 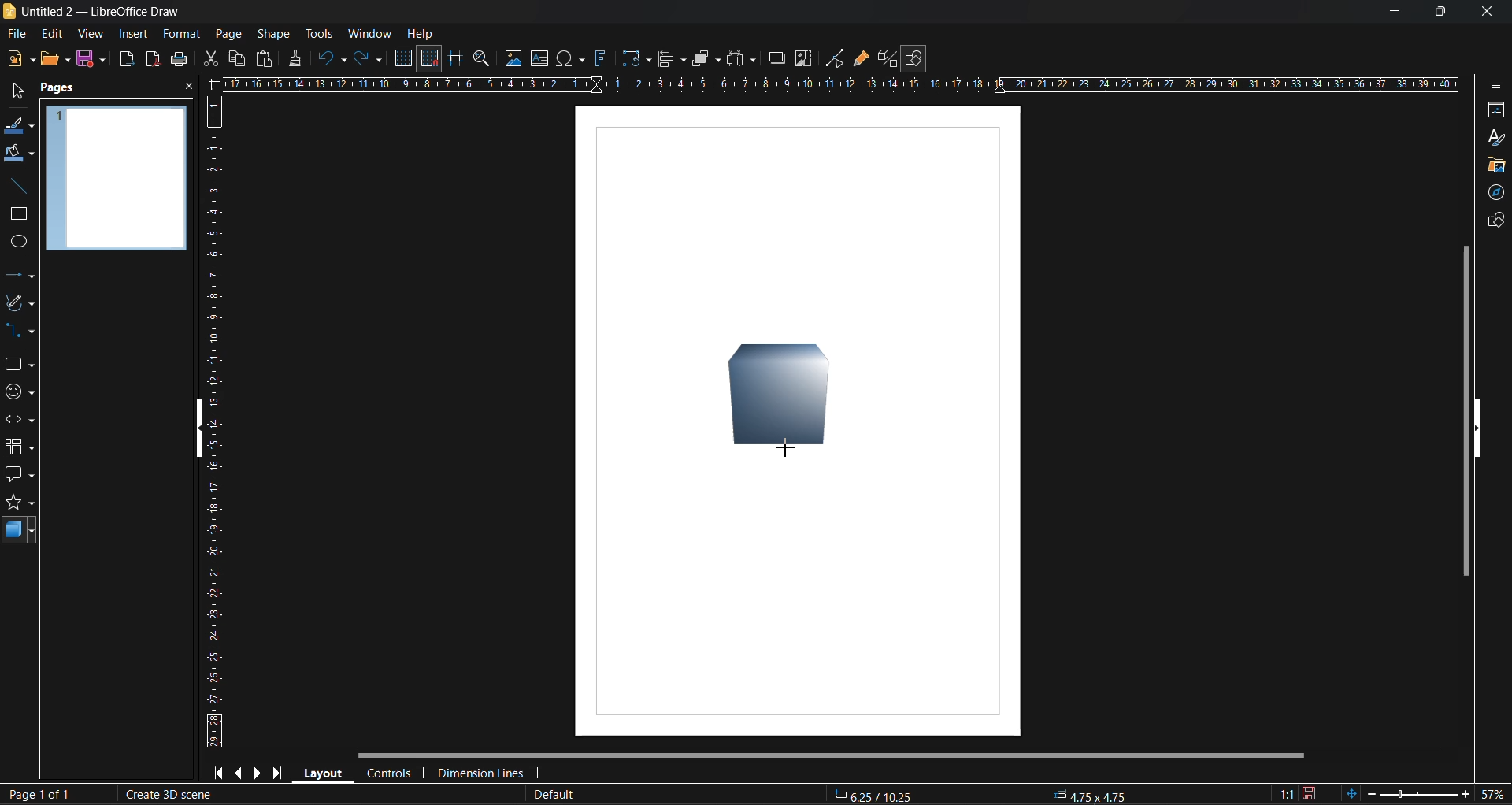 What do you see at coordinates (120, 180) in the screenshot?
I see `page preview` at bounding box center [120, 180].